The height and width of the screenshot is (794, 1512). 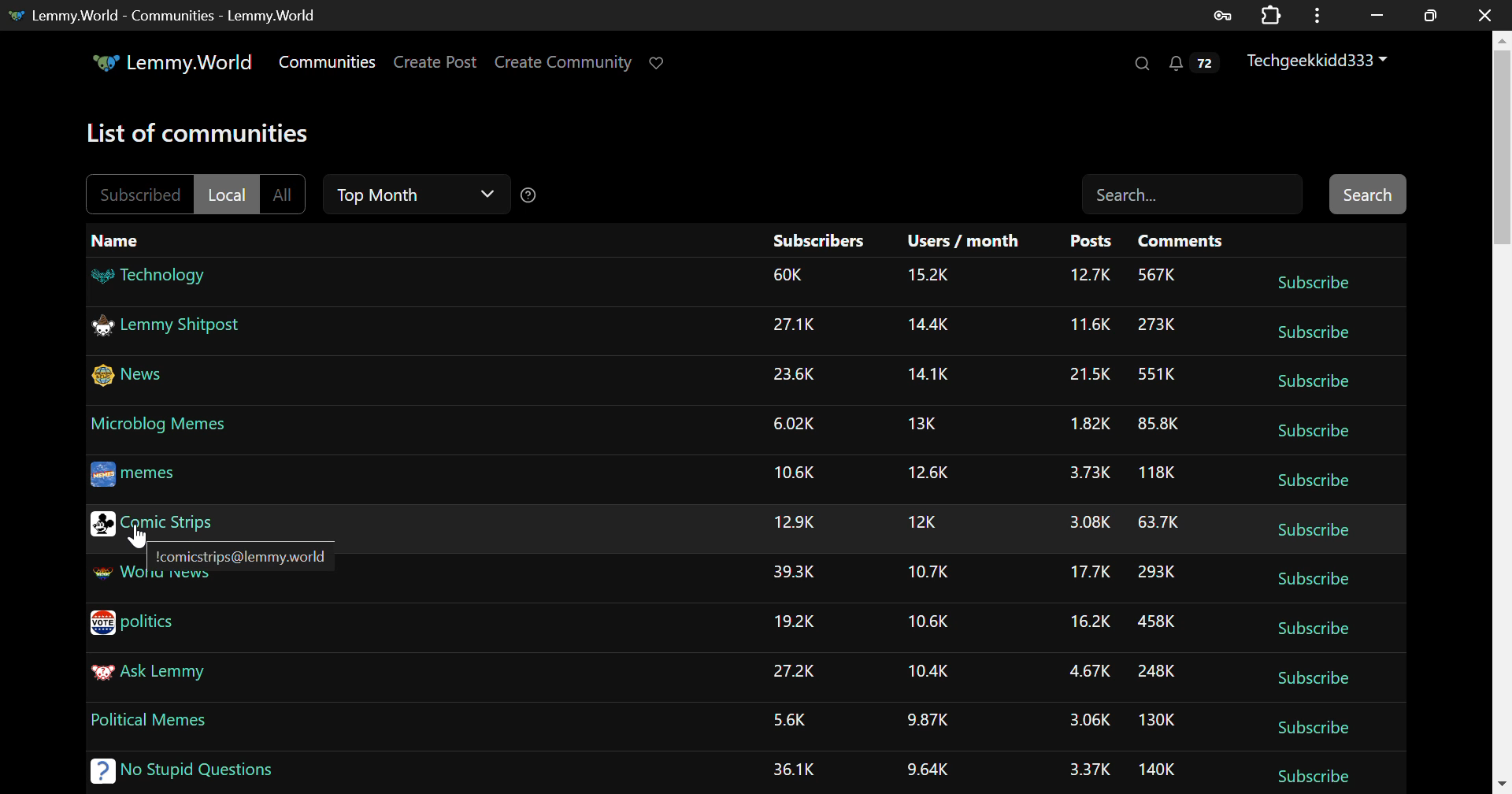 I want to click on Techgeekkidd333, so click(x=1319, y=62).